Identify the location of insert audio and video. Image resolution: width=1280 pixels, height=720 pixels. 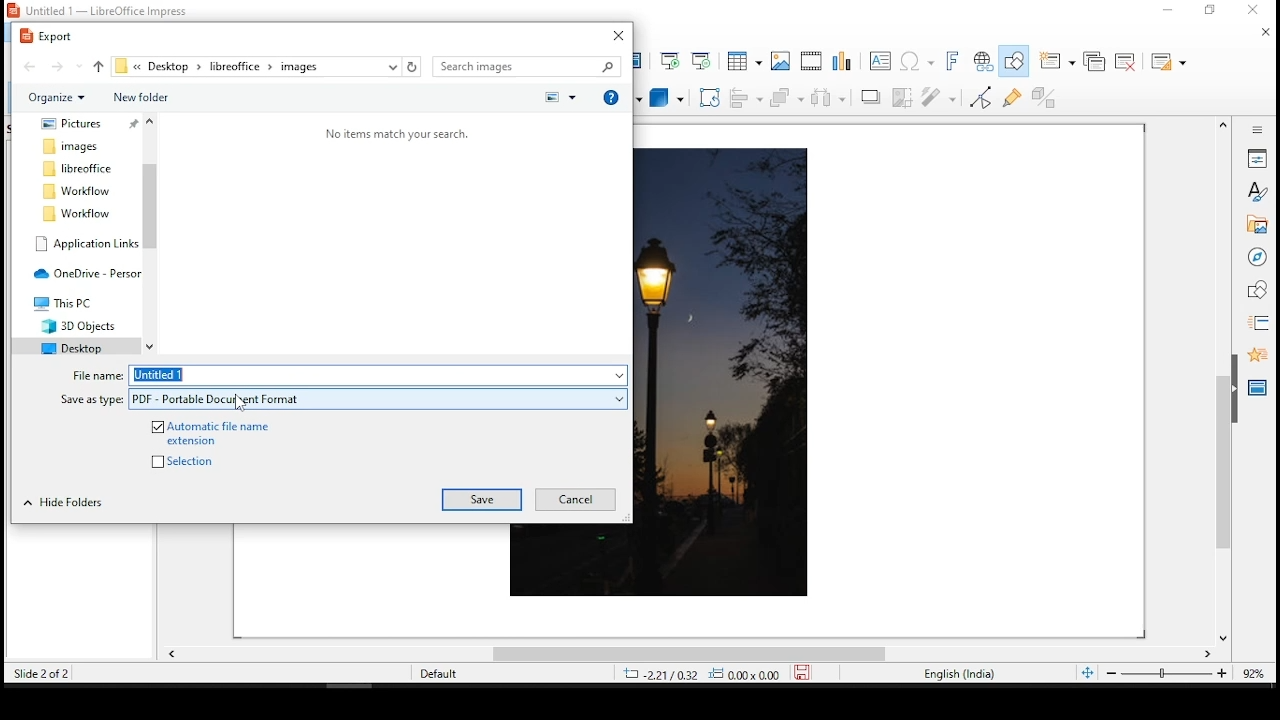
(811, 60).